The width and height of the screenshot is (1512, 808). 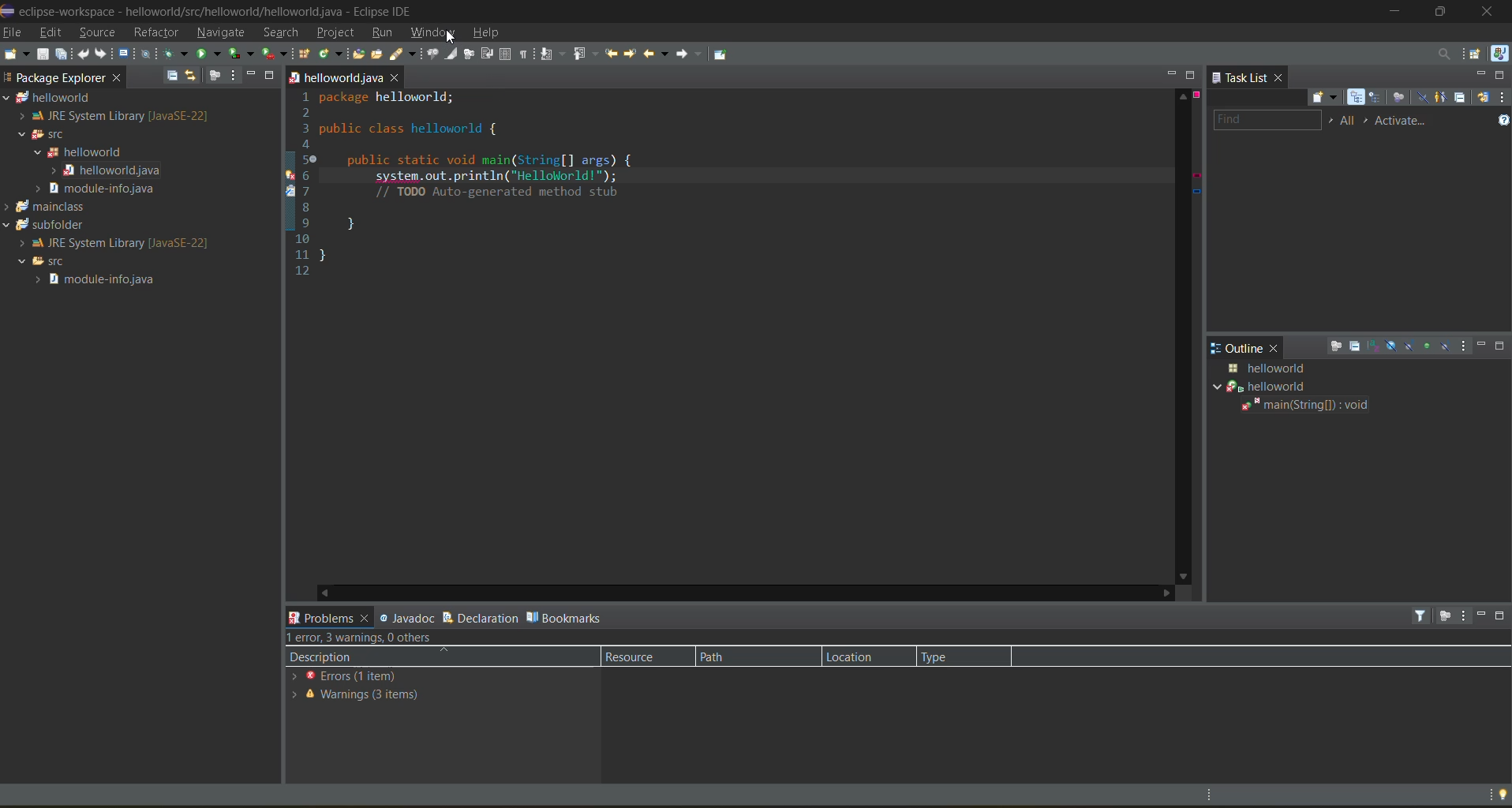 I want to click on open a terminal, so click(x=128, y=56).